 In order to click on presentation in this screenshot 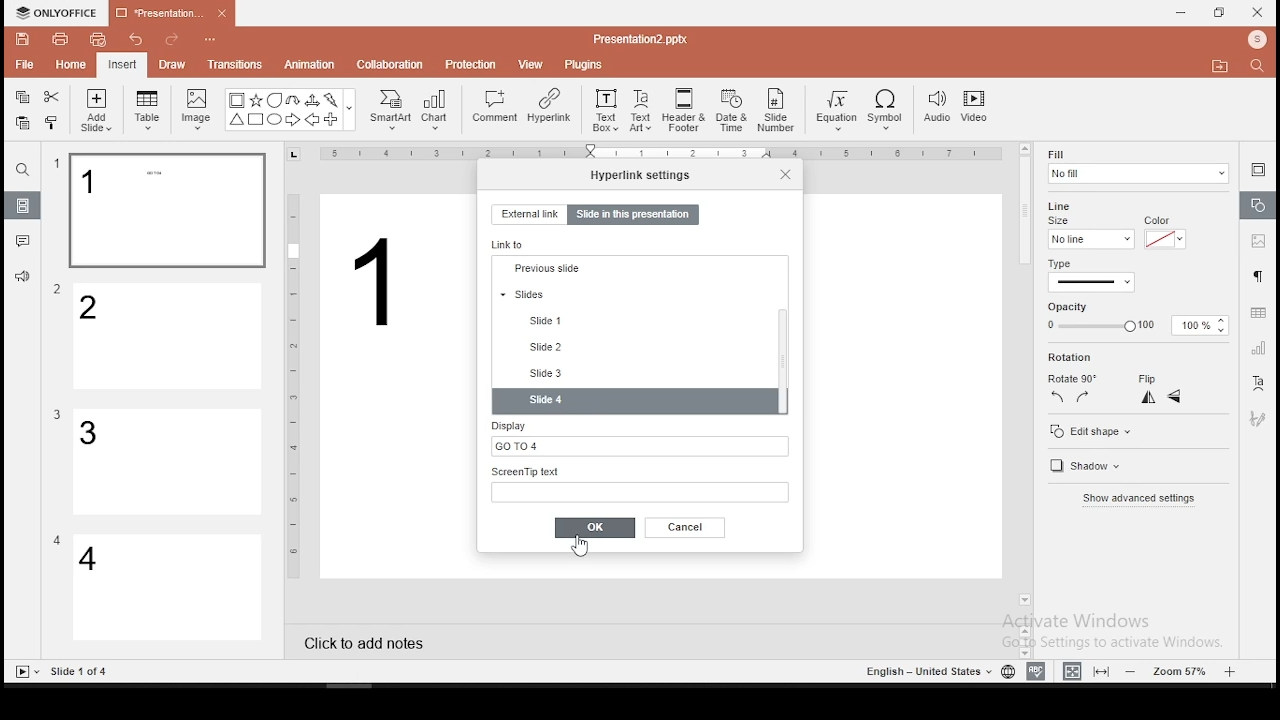, I will do `click(169, 15)`.